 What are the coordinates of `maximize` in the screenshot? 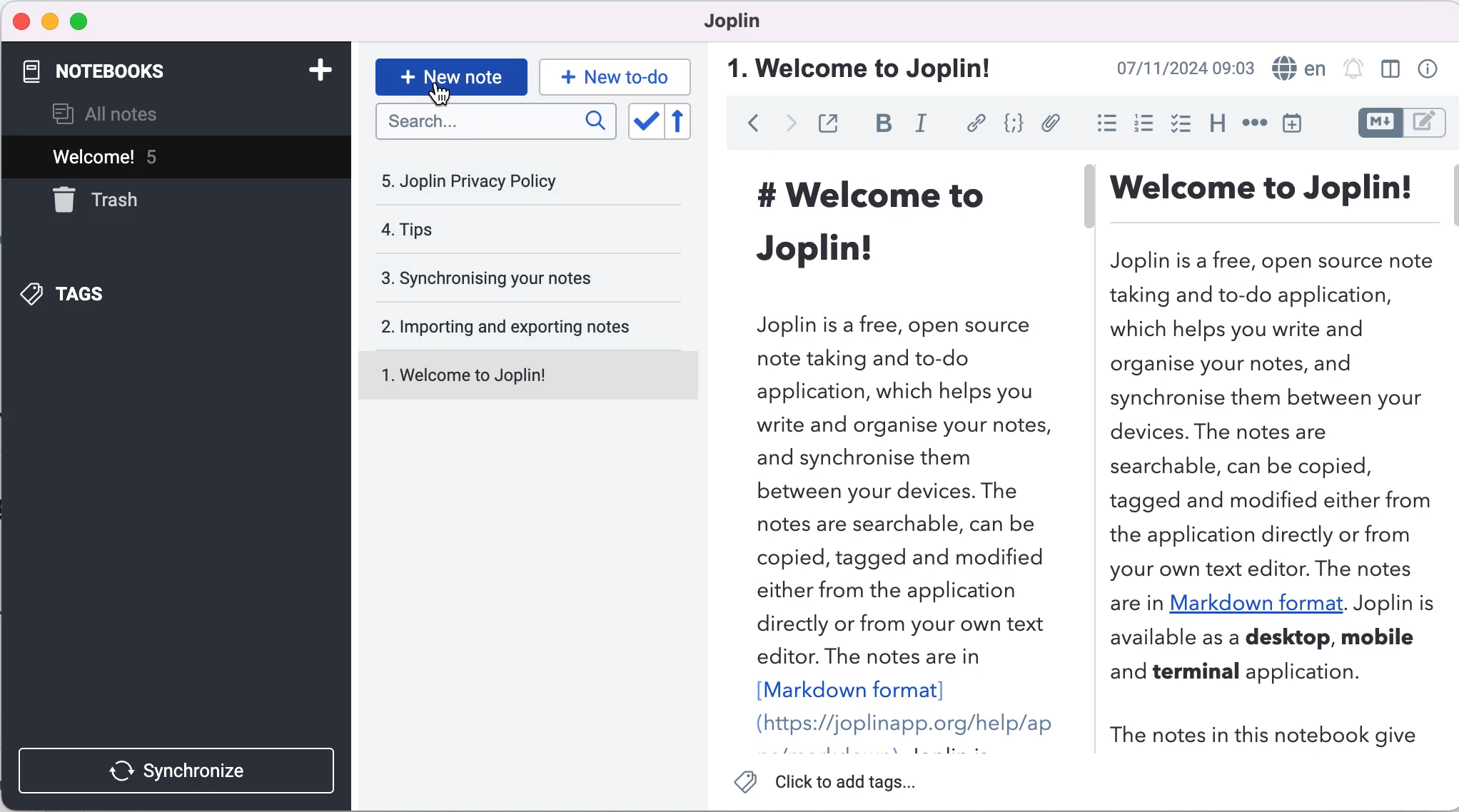 It's located at (88, 21).